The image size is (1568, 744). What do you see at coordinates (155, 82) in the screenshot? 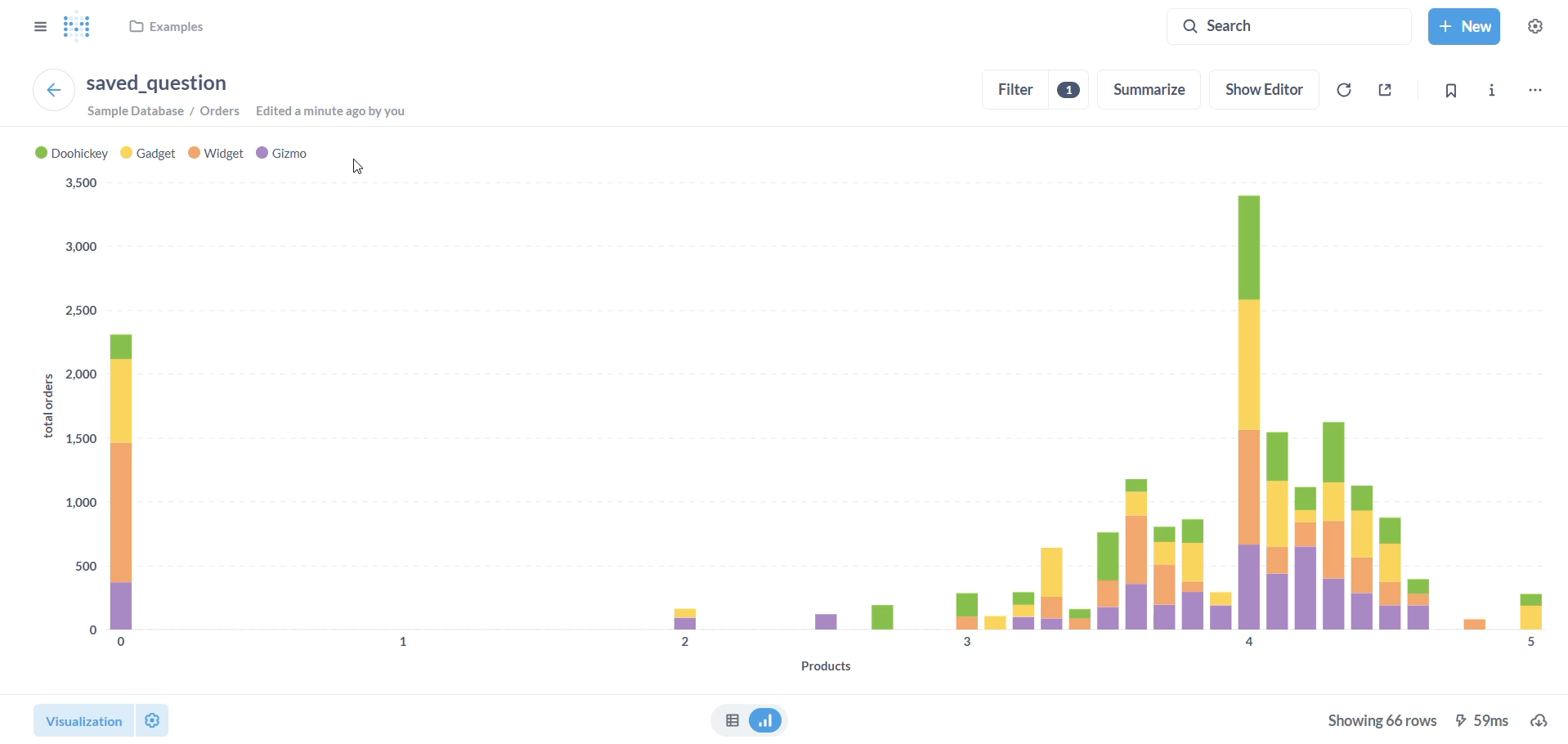
I see `saved question heading` at bounding box center [155, 82].